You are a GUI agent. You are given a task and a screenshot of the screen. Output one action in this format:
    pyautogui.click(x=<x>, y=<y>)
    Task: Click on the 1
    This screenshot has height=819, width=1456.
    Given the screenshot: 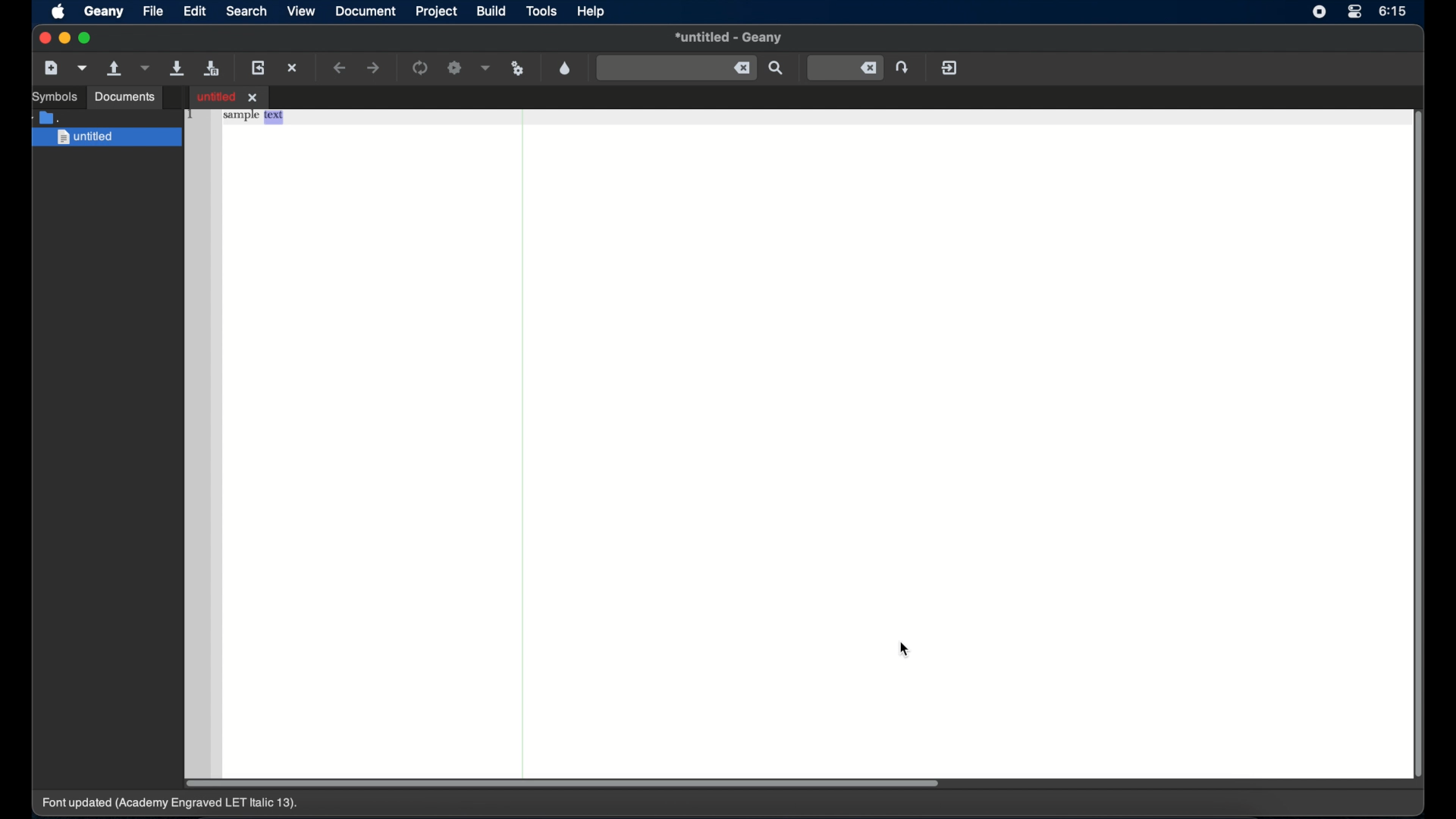 What is the action you would take?
    pyautogui.click(x=191, y=114)
    